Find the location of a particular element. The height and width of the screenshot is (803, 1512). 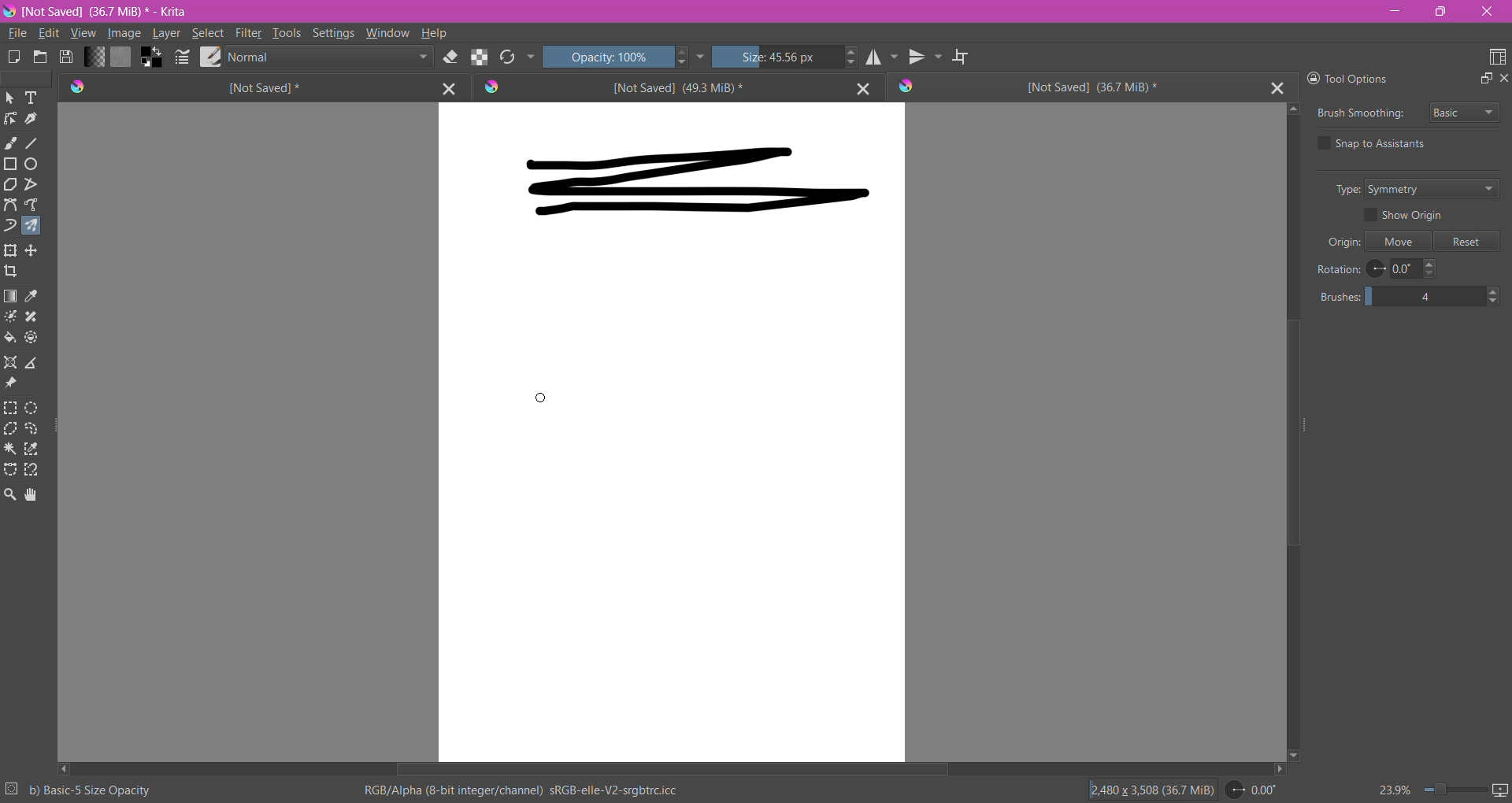

Set Opacity of the Brush is located at coordinates (606, 58).